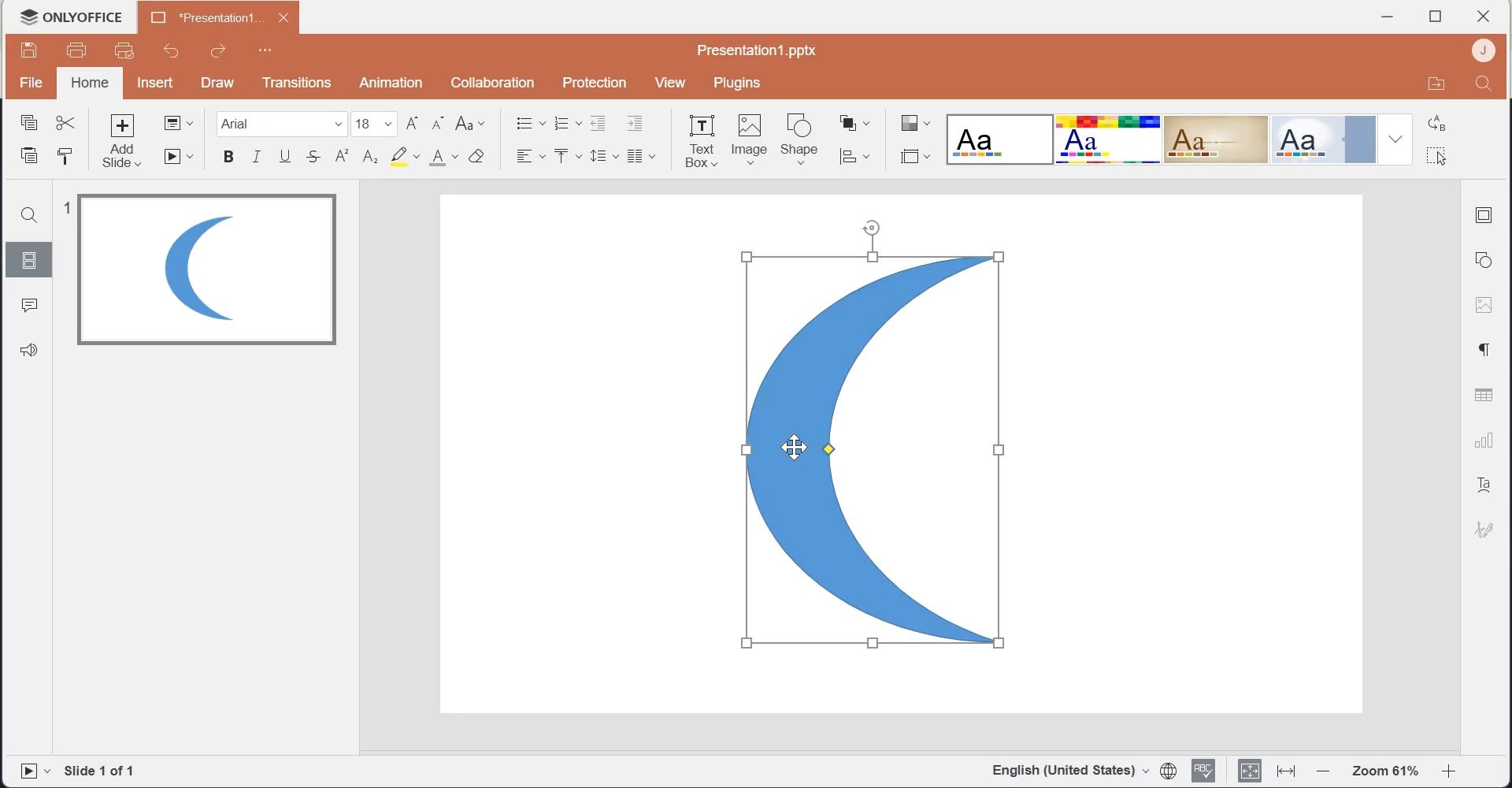 The image size is (1512, 788). What do you see at coordinates (643, 157) in the screenshot?
I see `Insert column` at bounding box center [643, 157].